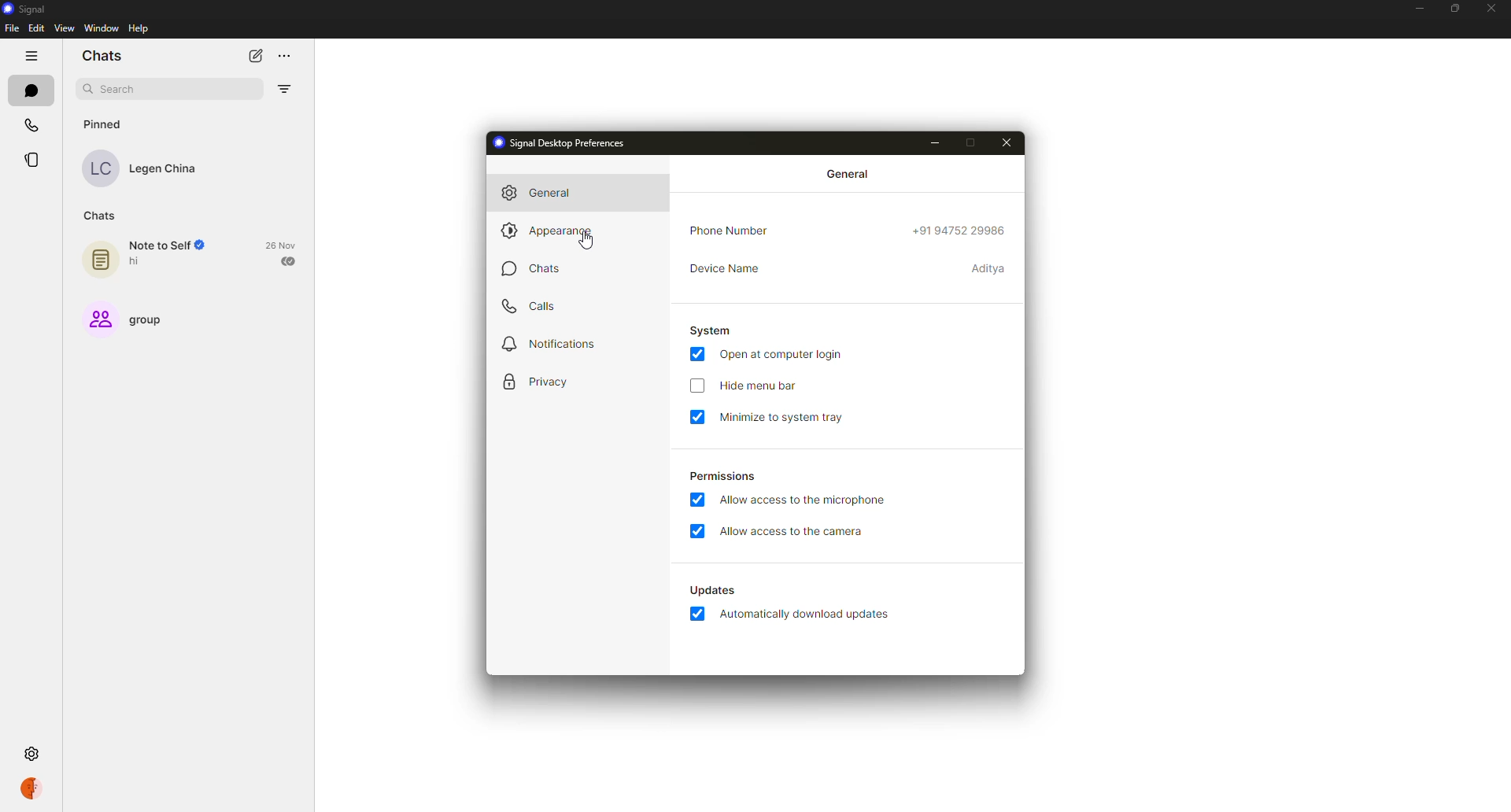  What do you see at coordinates (550, 342) in the screenshot?
I see `notifications` at bounding box center [550, 342].